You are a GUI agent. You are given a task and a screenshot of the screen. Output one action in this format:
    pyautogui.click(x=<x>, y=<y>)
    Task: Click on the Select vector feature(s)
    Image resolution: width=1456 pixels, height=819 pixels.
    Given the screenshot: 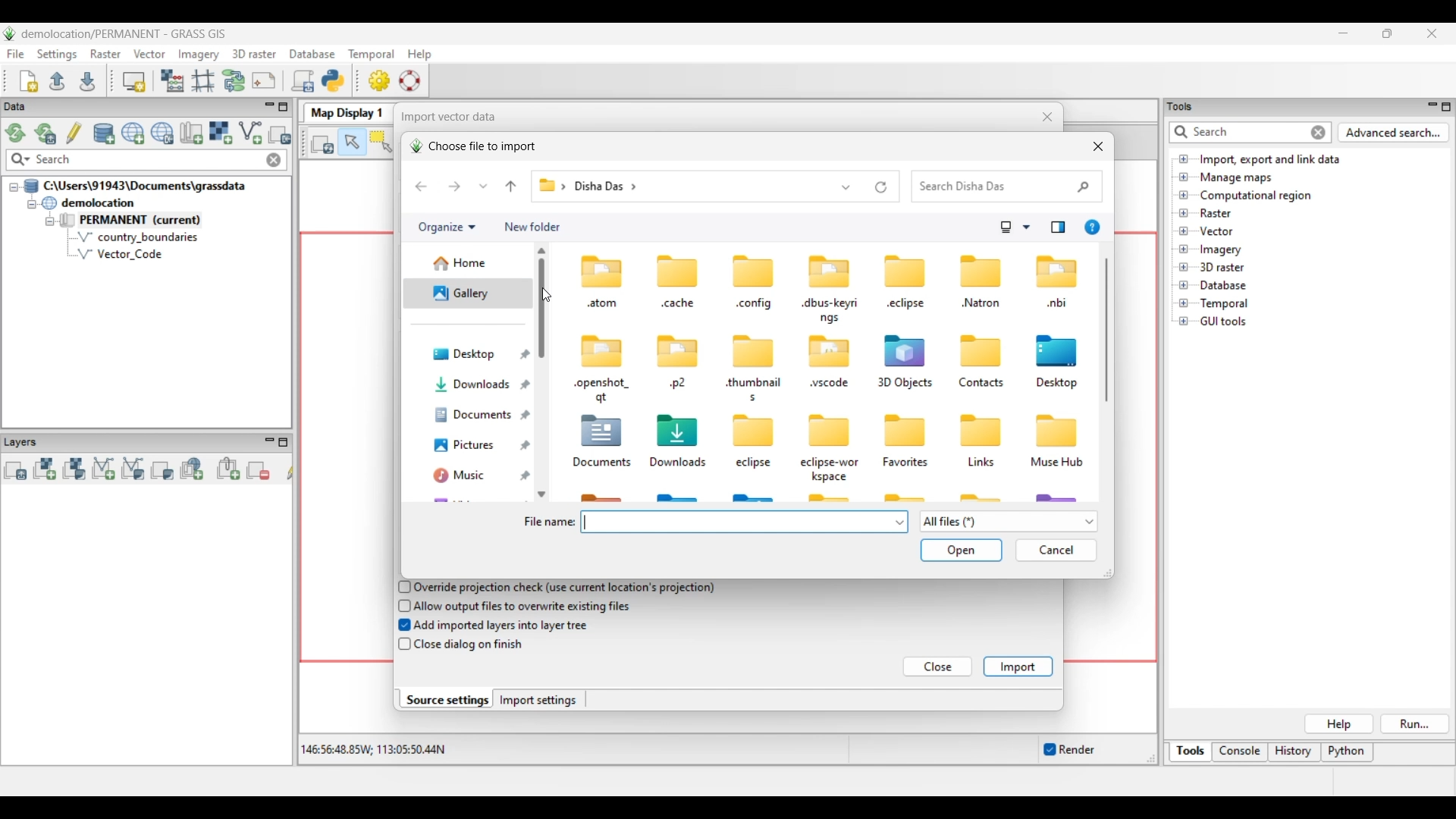 What is the action you would take?
    pyautogui.click(x=381, y=143)
    